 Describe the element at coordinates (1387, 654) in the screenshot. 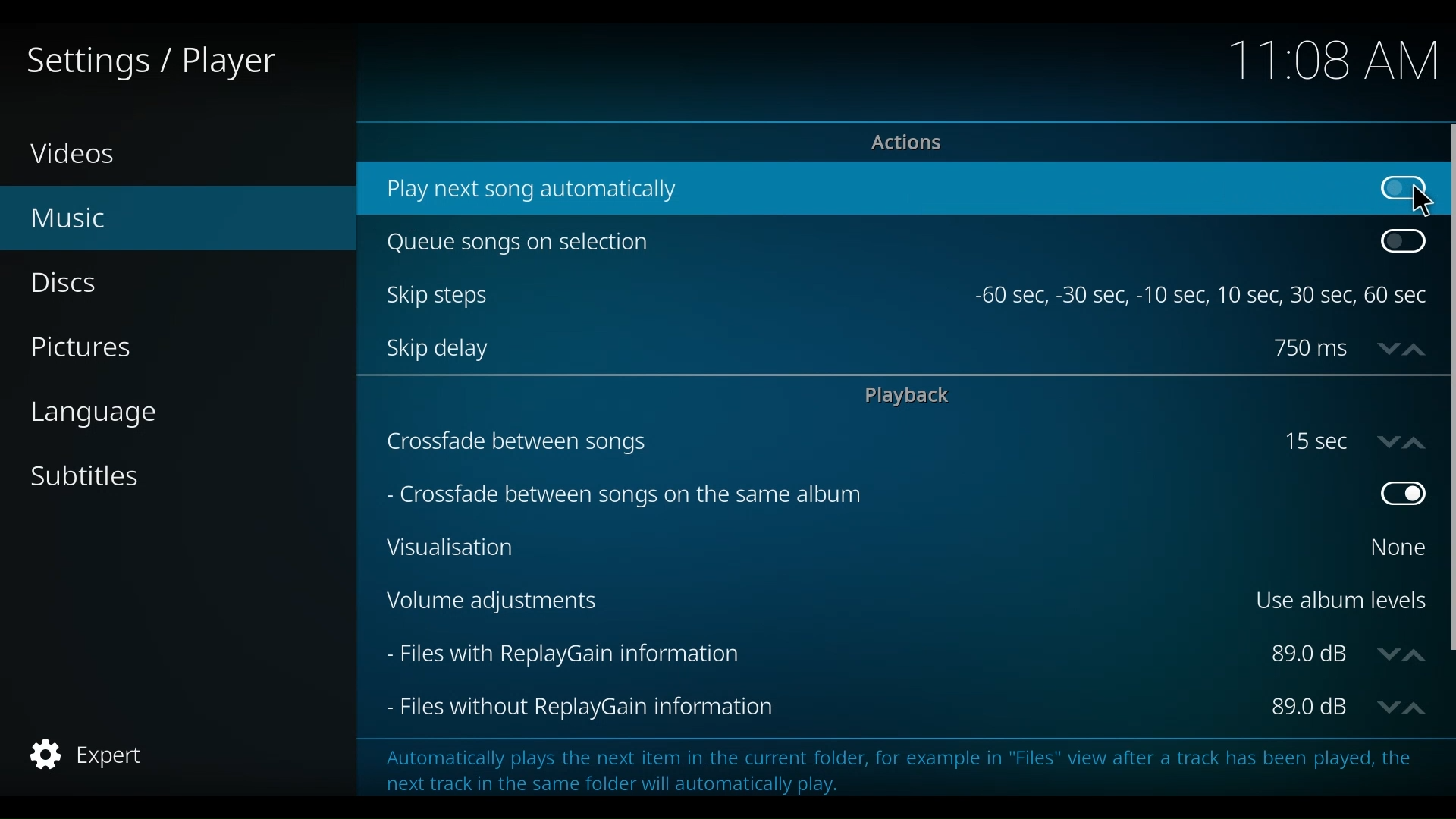

I see `down` at that location.